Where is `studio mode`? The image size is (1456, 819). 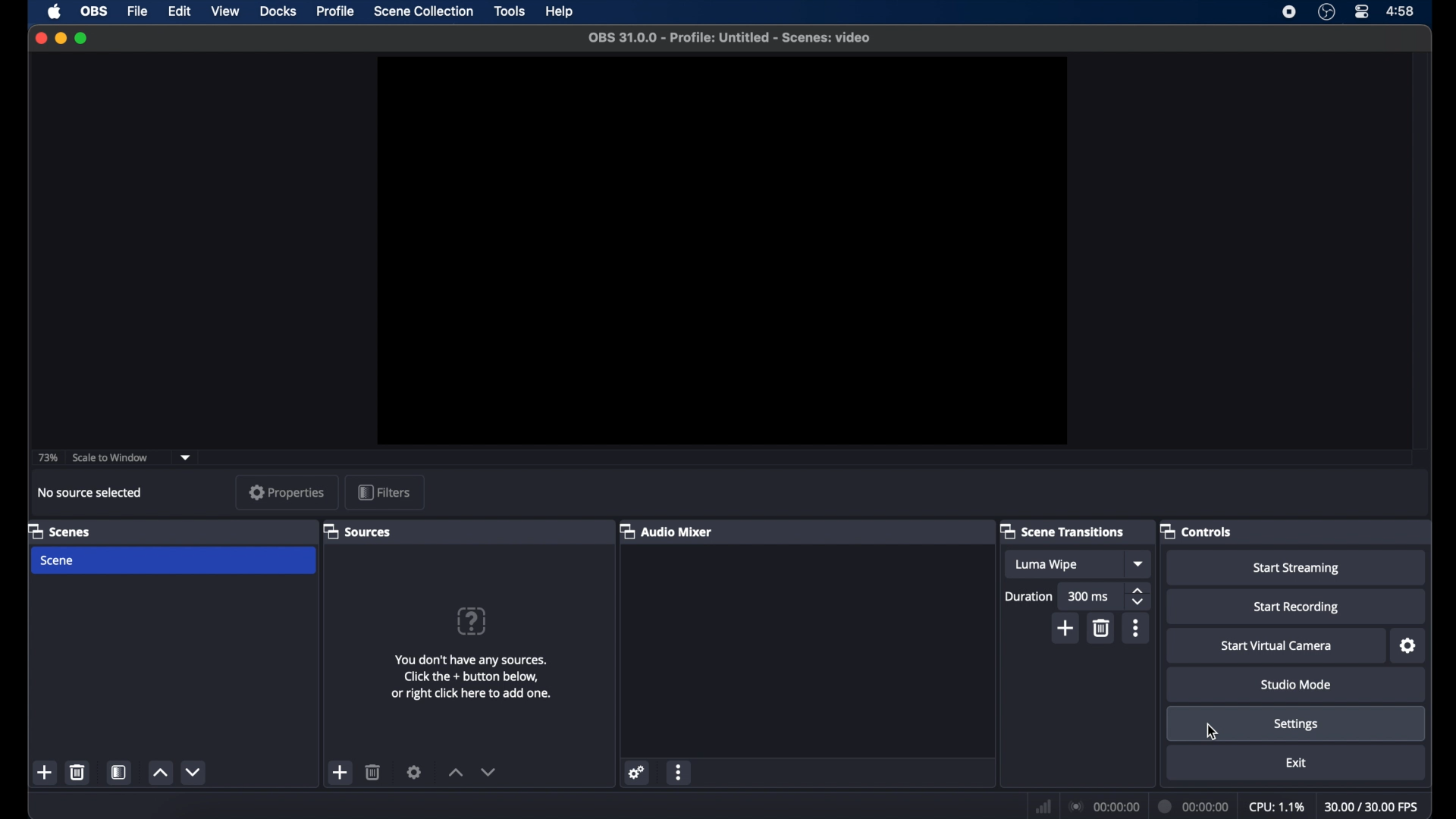
studio mode is located at coordinates (1296, 685).